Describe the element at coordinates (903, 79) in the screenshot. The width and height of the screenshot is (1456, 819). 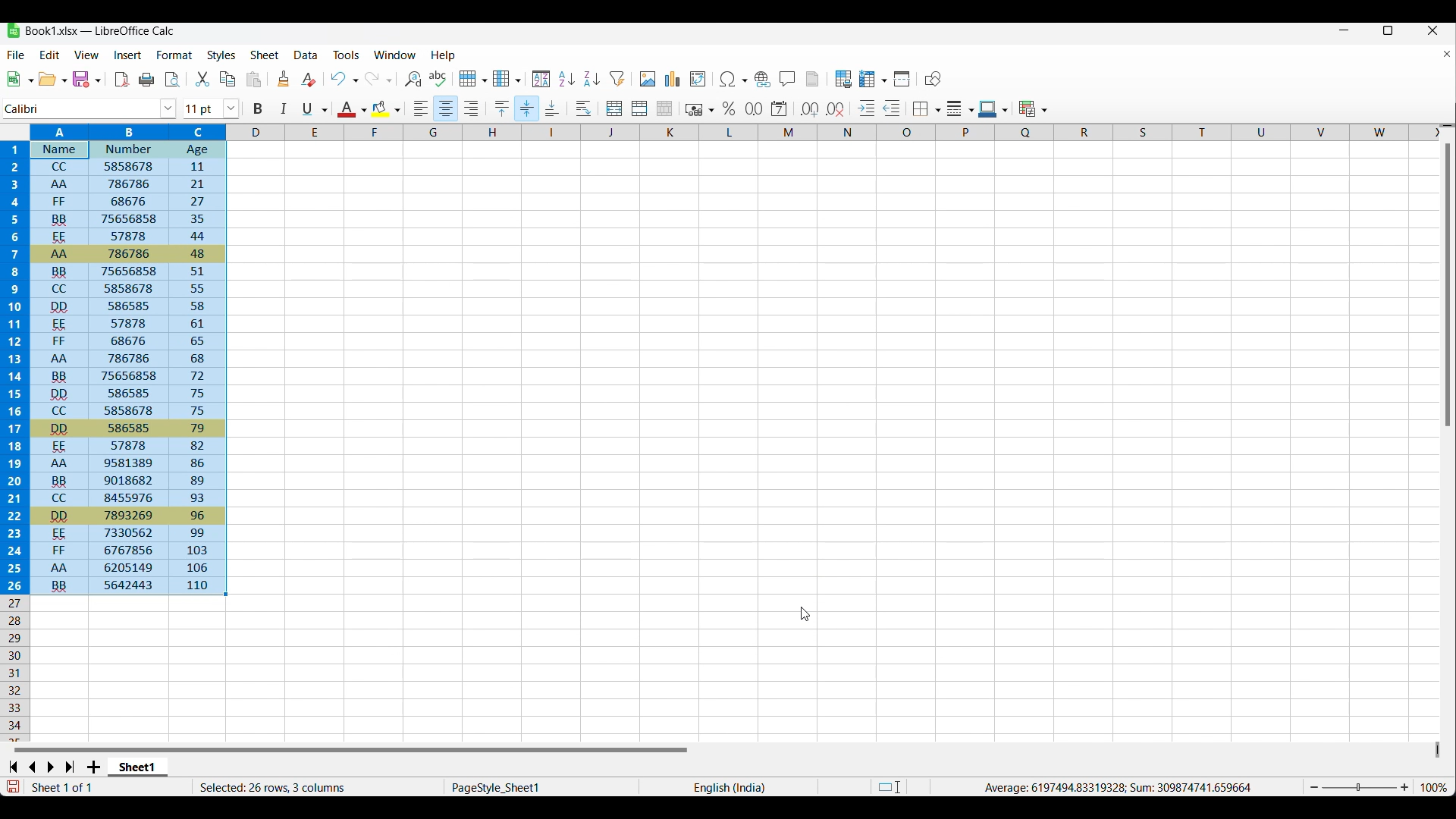
I see `Split window` at that location.